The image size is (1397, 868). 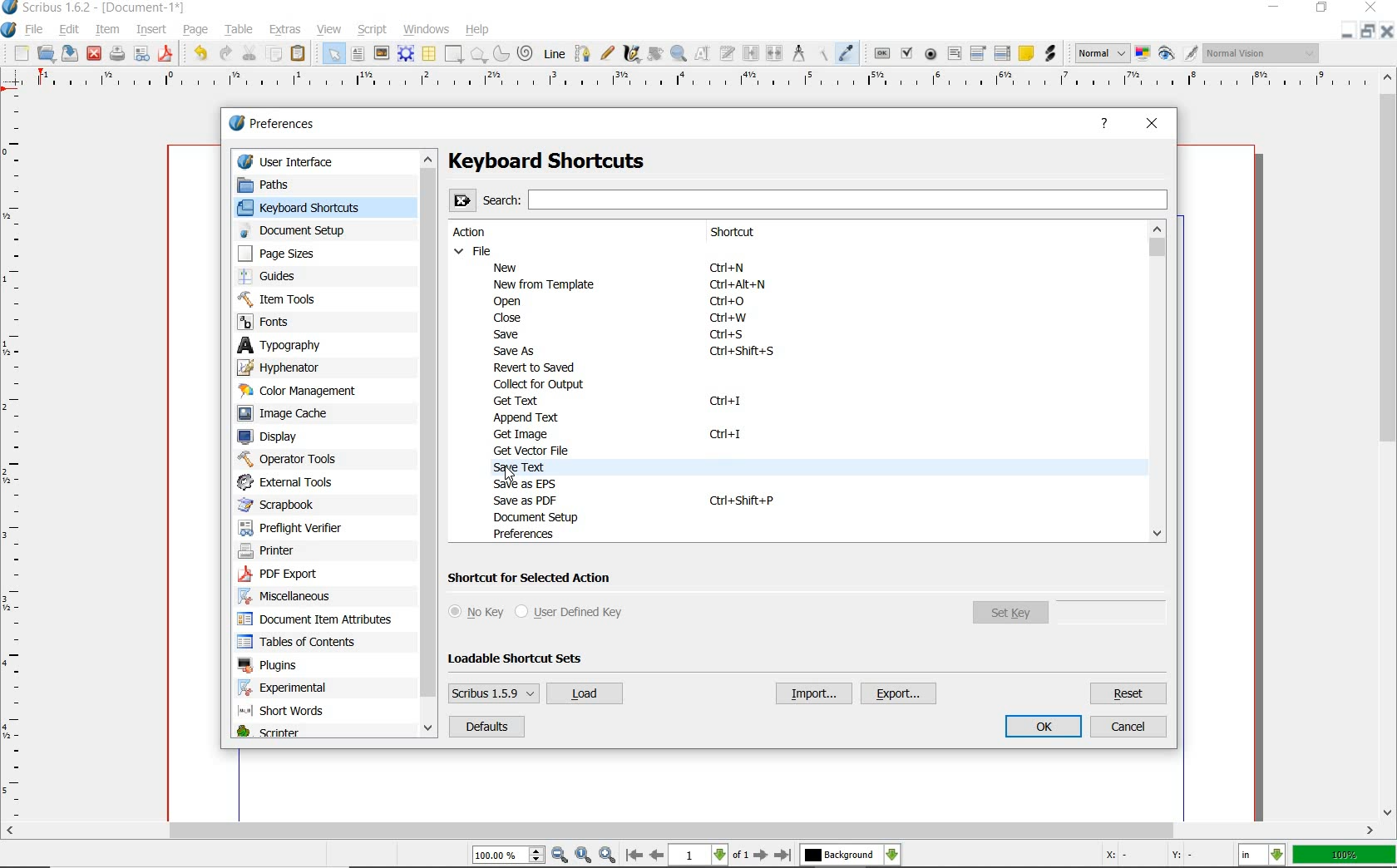 What do you see at coordinates (476, 612) in the screenshot?
I see `no key` at bounding box center [476, 612].